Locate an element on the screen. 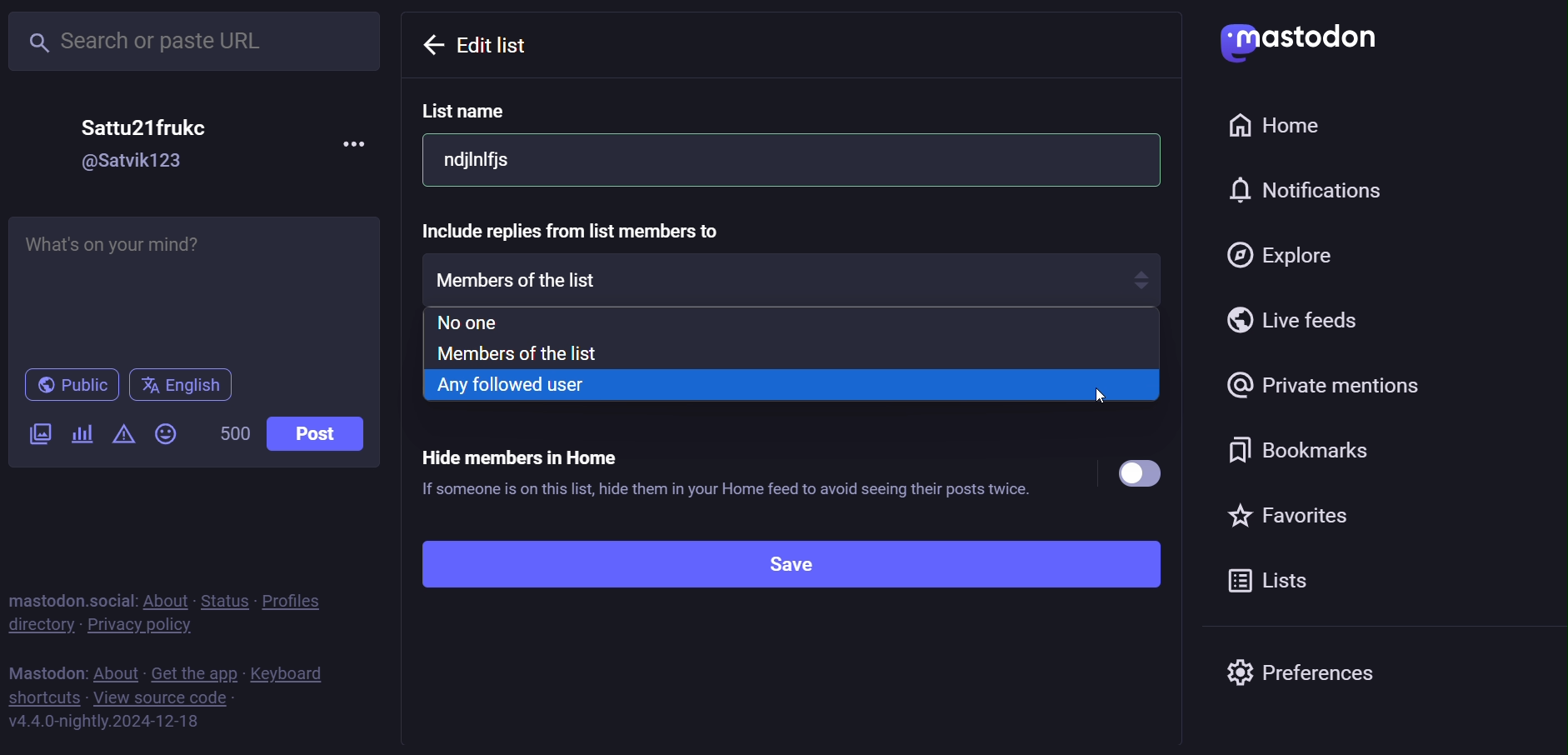  explore is located at coordinates (1278, 254).